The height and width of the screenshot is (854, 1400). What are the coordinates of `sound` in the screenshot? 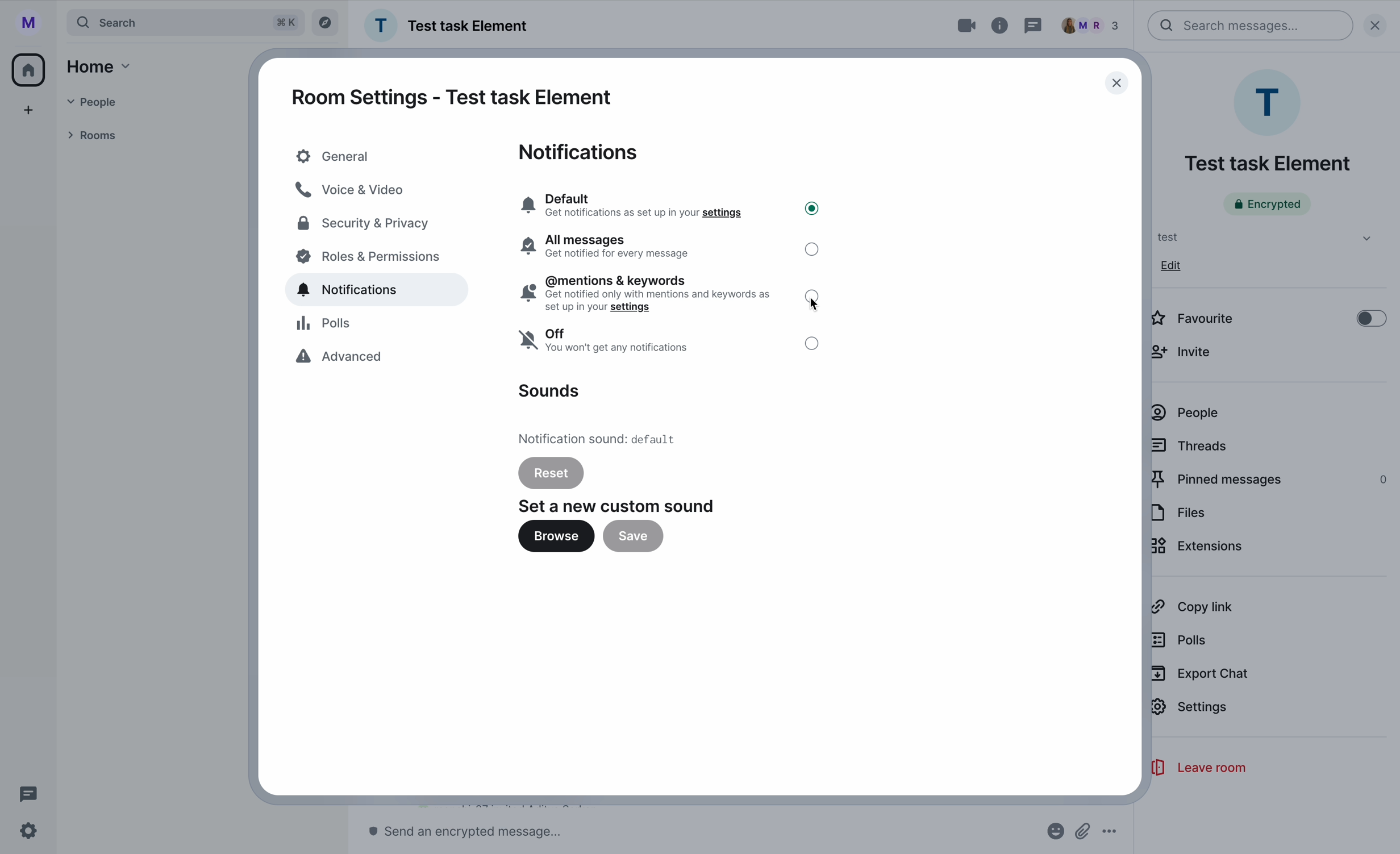 It's located at (548, 391).